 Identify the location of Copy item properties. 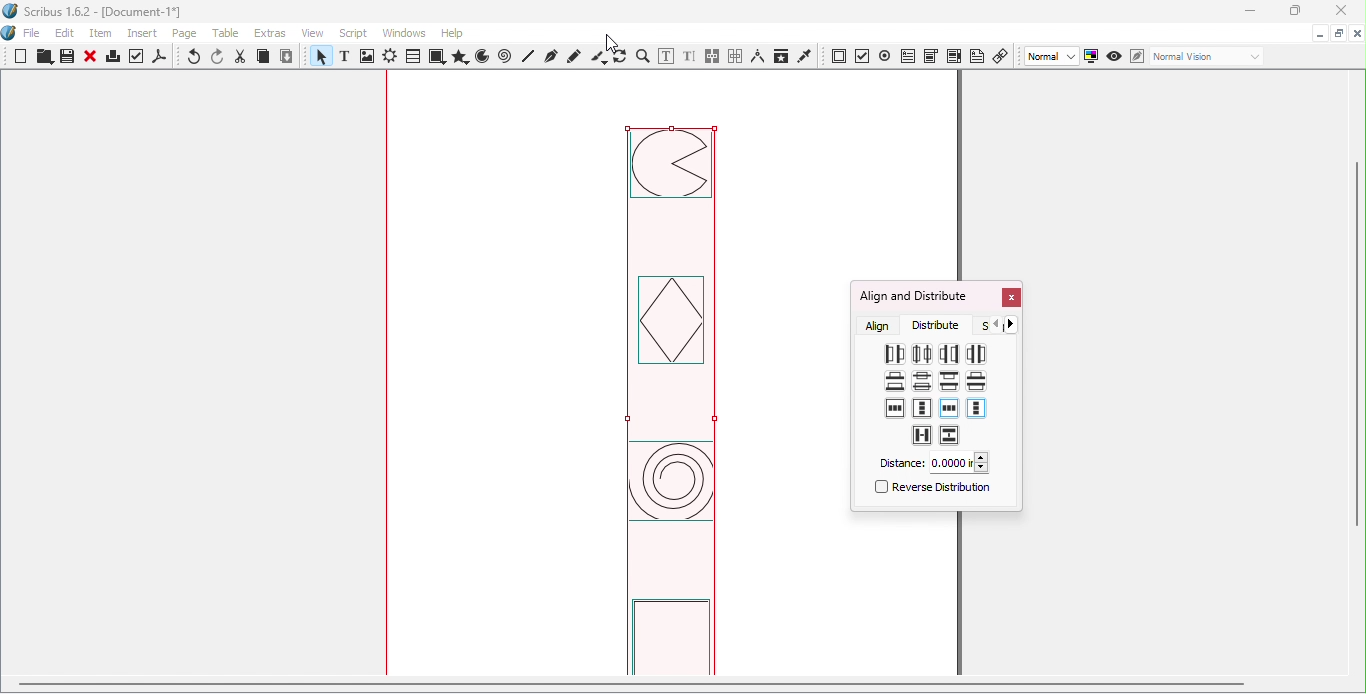
(780, 56).